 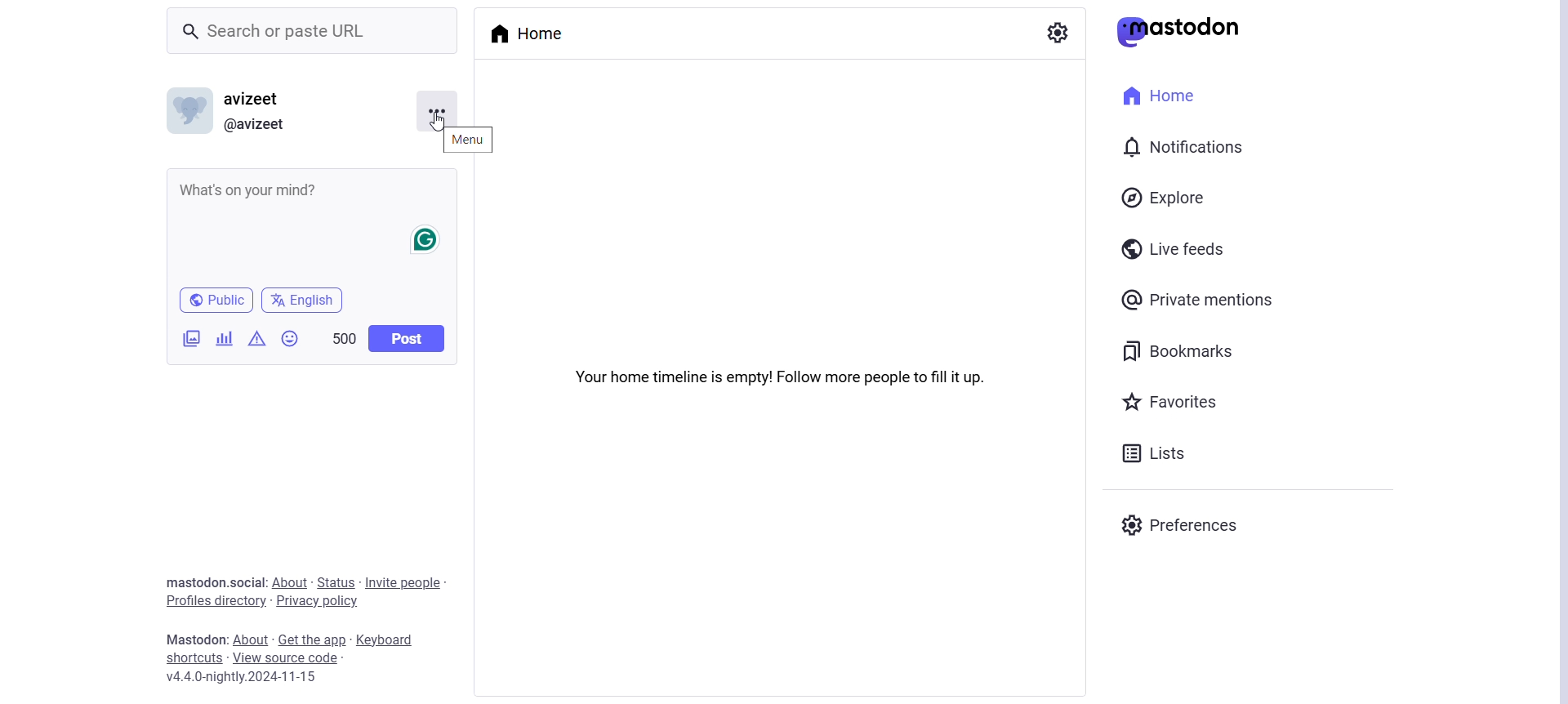 What do you see at coordinates (1186, 403) in the screenshot?
I see `Favorites` at bounding box center [1186, 403].